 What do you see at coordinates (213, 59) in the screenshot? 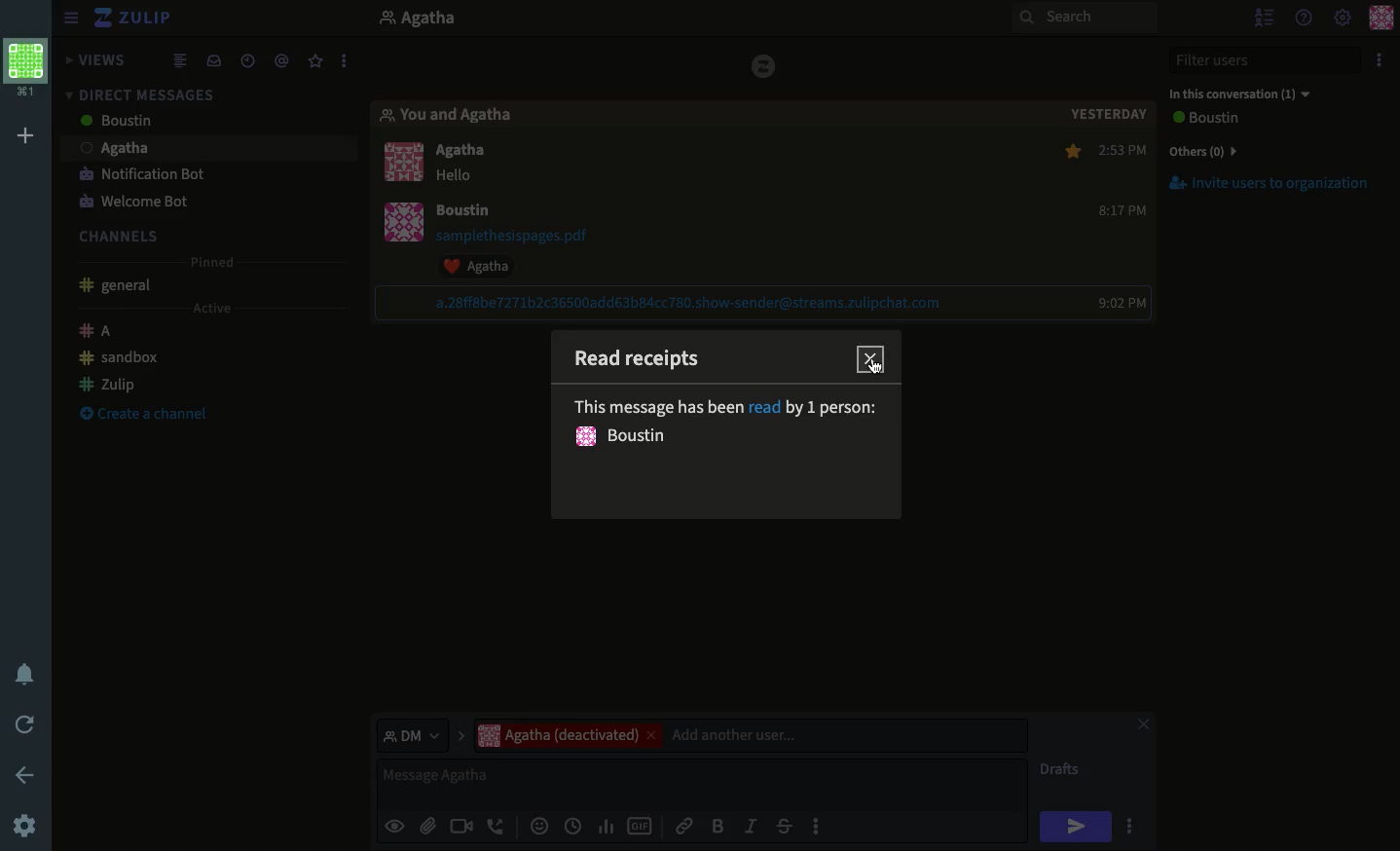
I see `Inbox` at bounding box center [213, 59].